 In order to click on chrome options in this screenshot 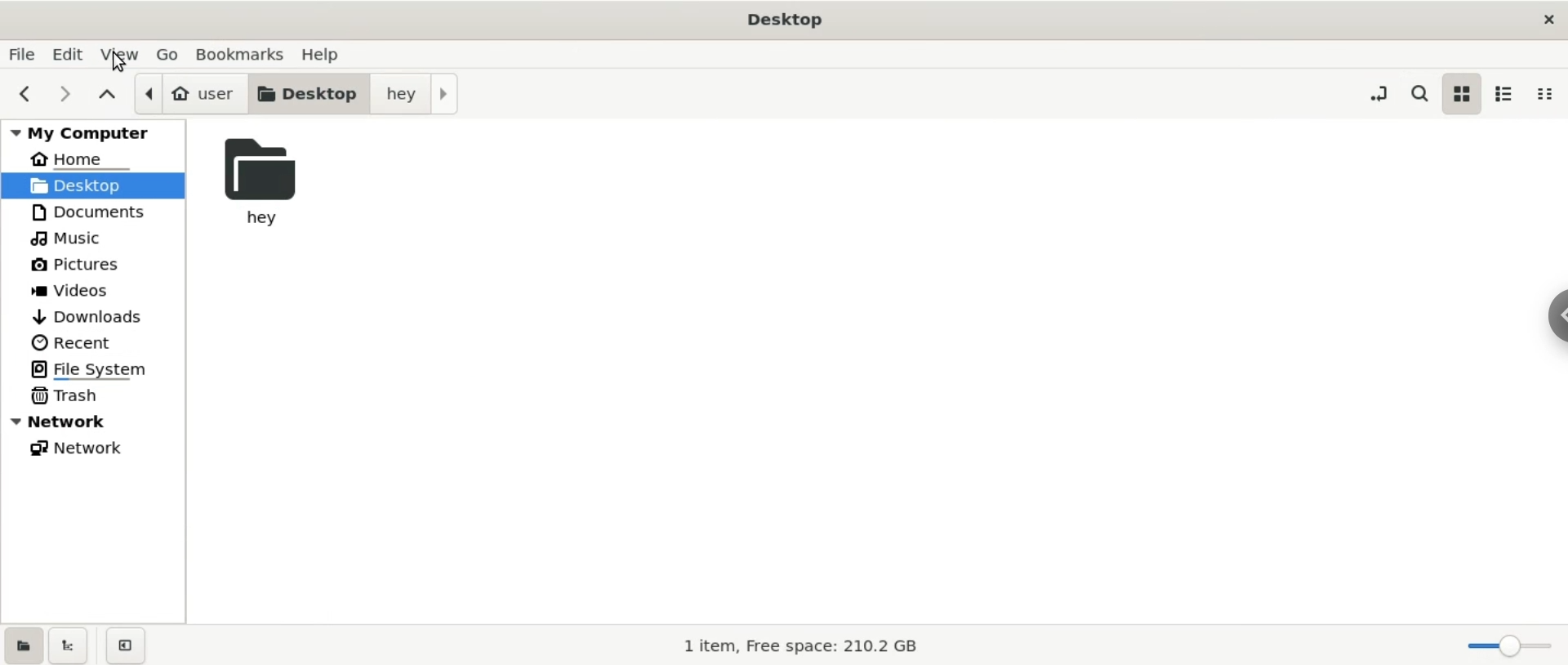, I will do `click(1554, 313)`.